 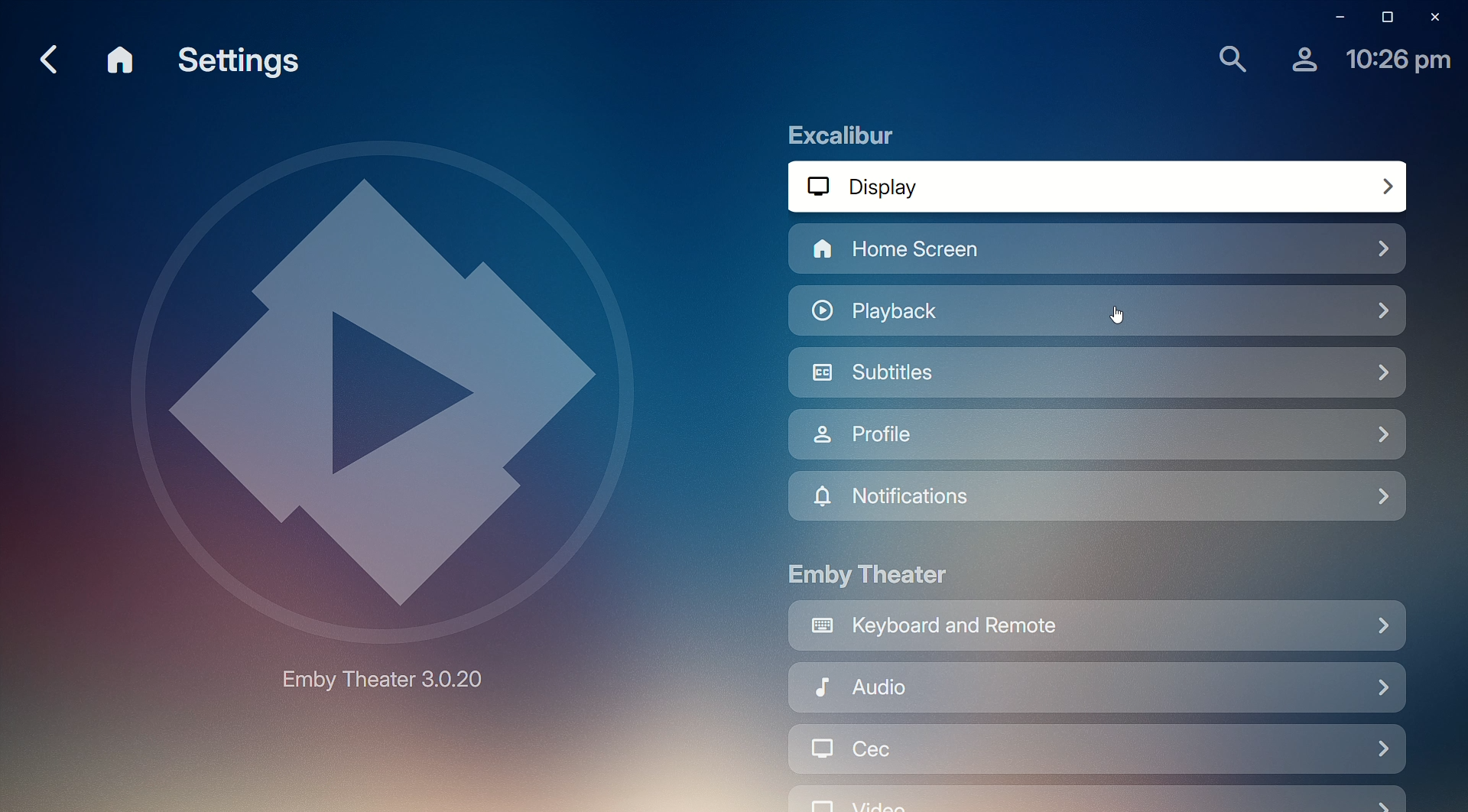 What do you see at coordinates (1120, 317) in the screenshot?
I see `cursor` at bounding box center [1120, 317].